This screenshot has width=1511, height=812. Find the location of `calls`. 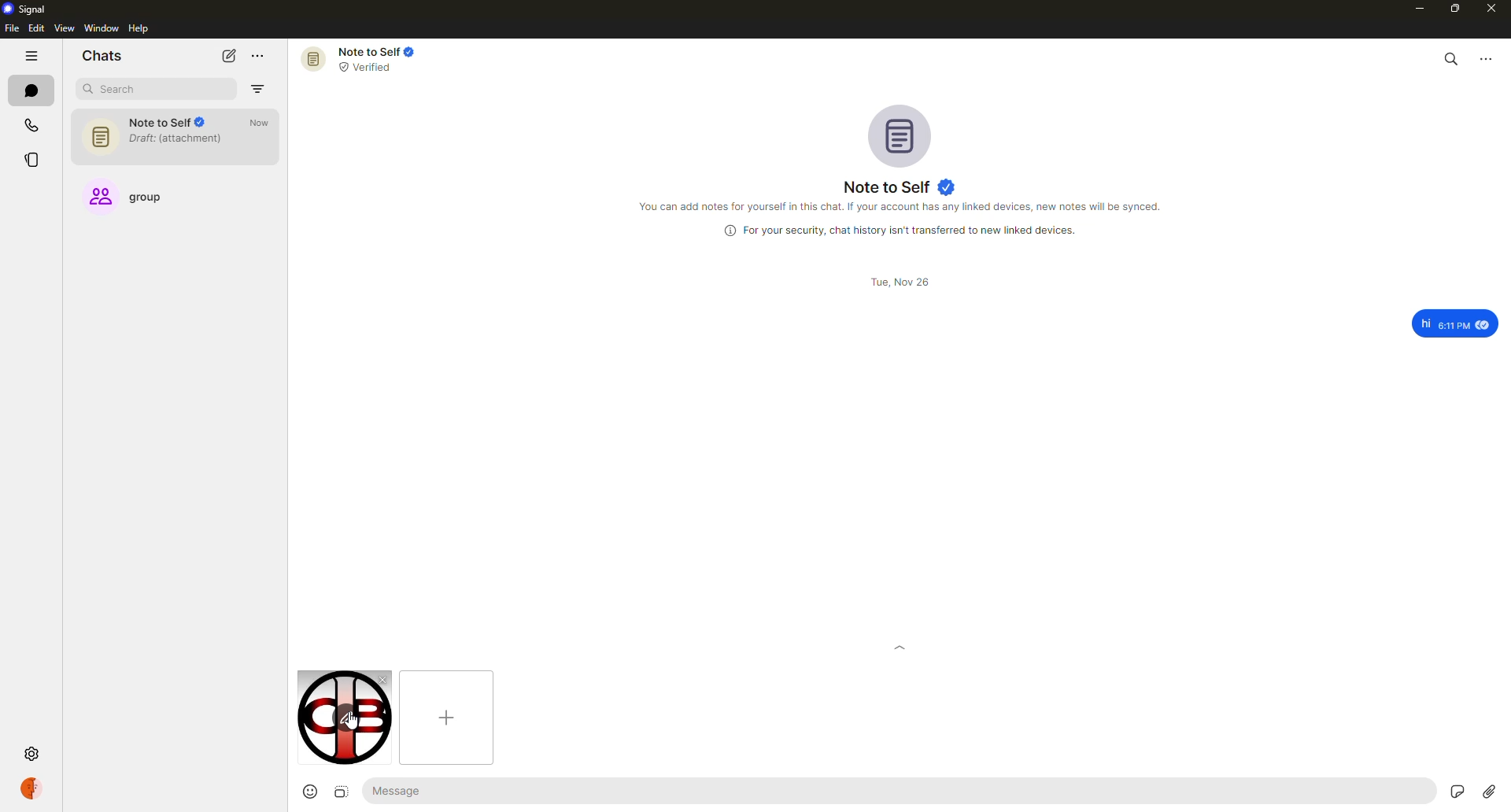

calls is located at coordinates (30, 124).